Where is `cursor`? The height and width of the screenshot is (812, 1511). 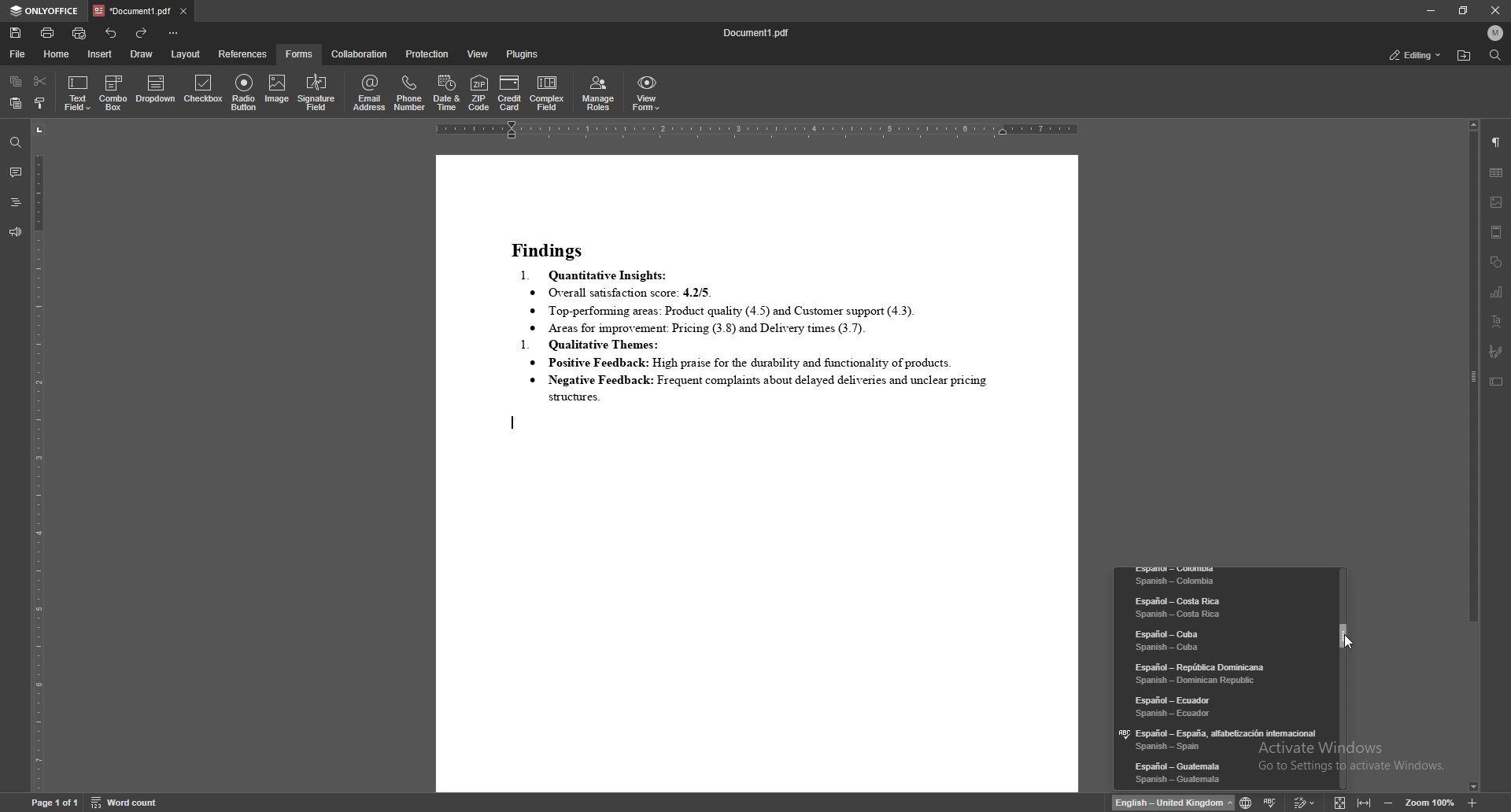 cursor is located at coordinates (1347, 643).